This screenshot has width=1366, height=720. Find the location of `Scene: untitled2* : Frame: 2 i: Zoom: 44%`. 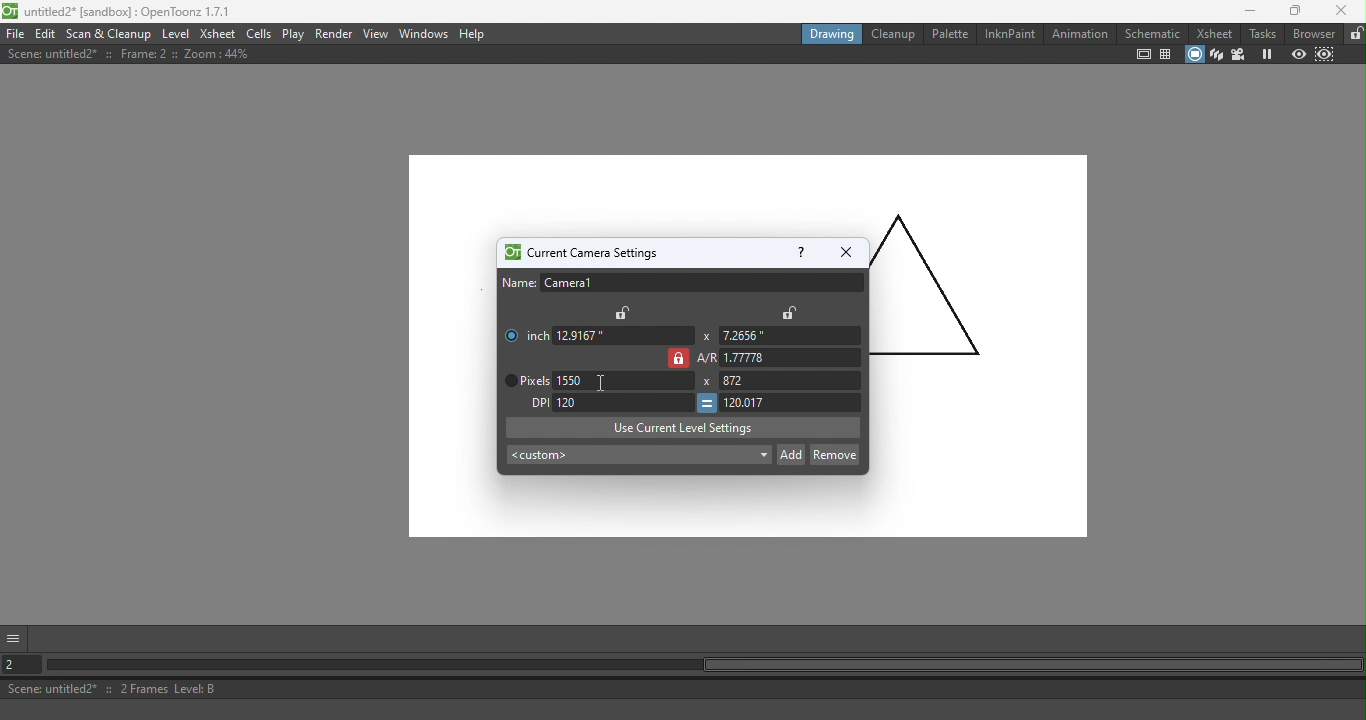

Scene: untitled2* : Frame: 2 i: Zoom: 44% is located at coordinates (129, 54).